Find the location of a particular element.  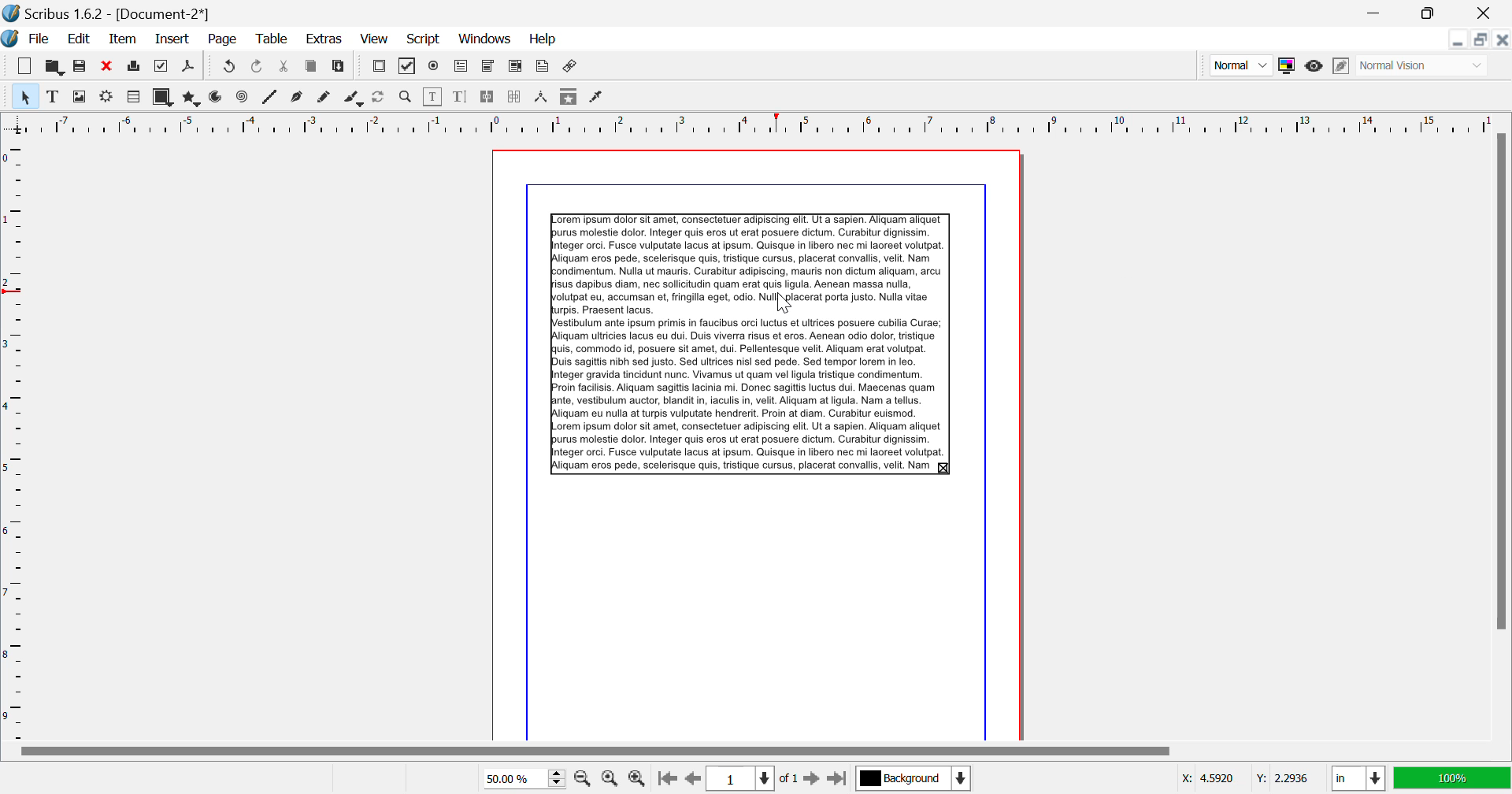

Script is located at coordinates (424, 38).